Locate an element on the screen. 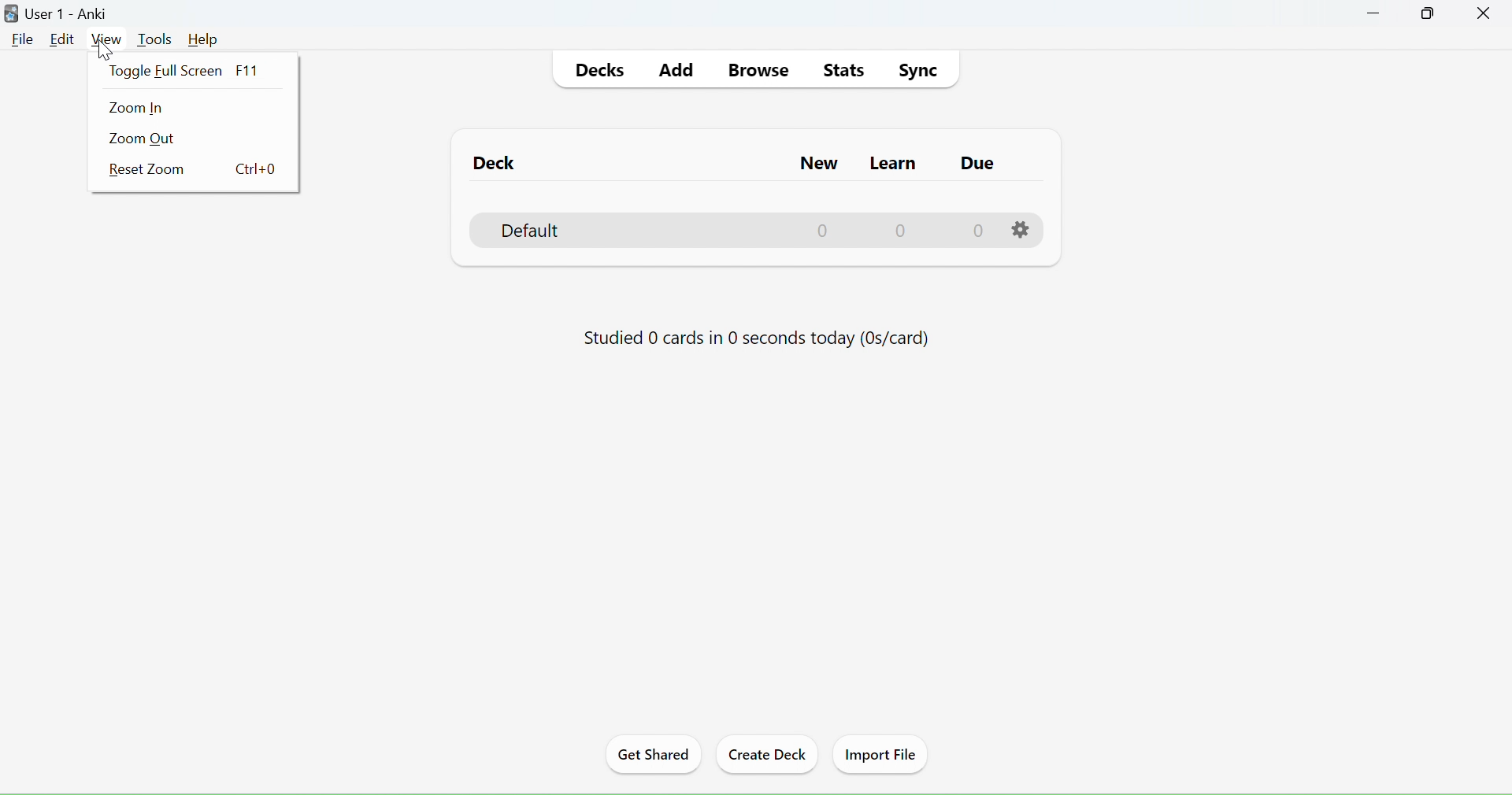  decks is located at coordinates (602, 72).